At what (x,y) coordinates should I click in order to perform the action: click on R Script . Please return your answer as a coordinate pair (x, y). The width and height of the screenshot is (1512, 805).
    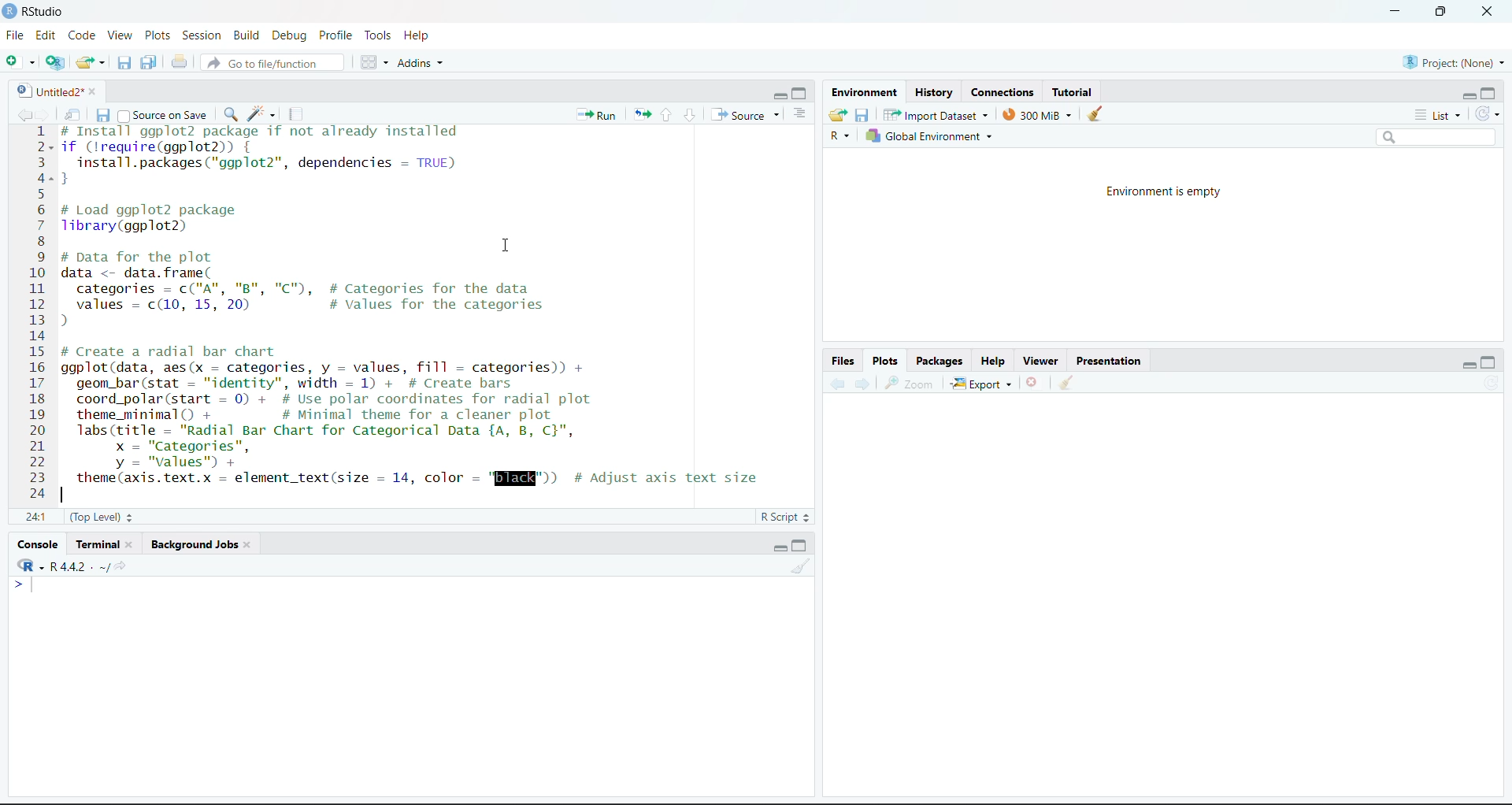
    Looking at the image, I should click on (779, 517).